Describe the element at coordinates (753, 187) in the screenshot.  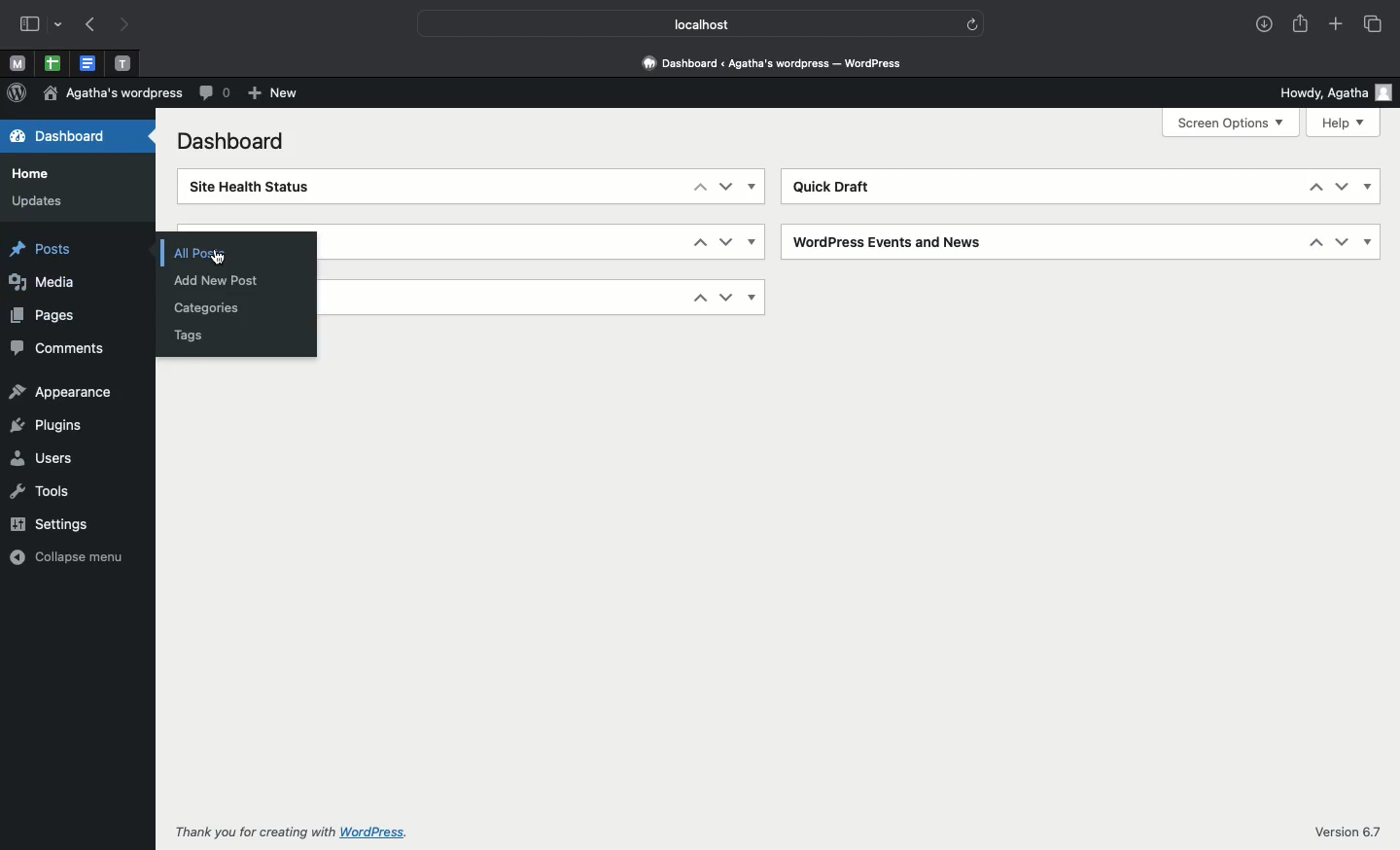
I see `Show` at that location.